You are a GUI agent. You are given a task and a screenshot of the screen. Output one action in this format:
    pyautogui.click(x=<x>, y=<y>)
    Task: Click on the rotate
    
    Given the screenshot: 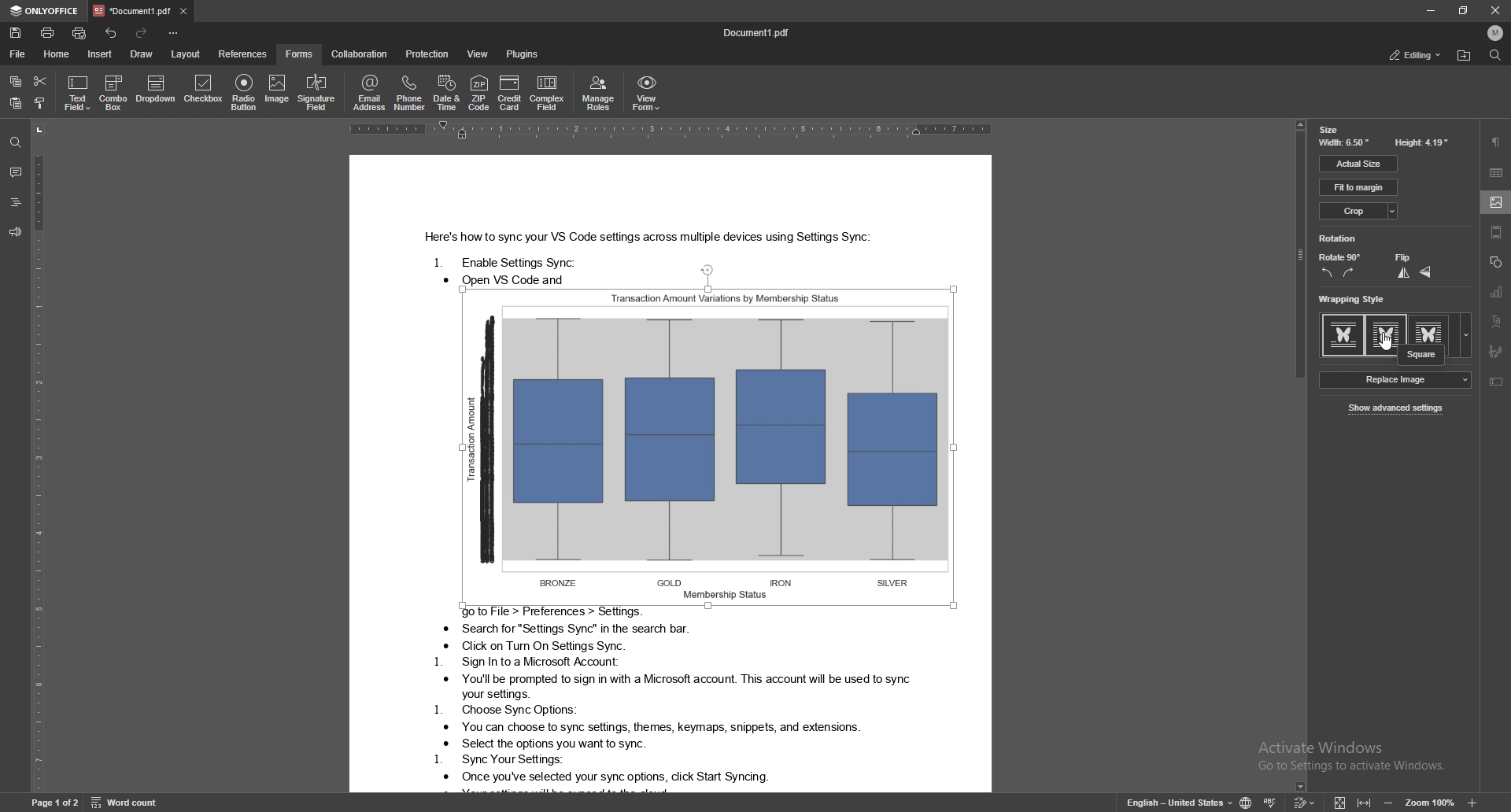 What is the action you would take?
    pyautogui.click(x=1353, y=274)
    